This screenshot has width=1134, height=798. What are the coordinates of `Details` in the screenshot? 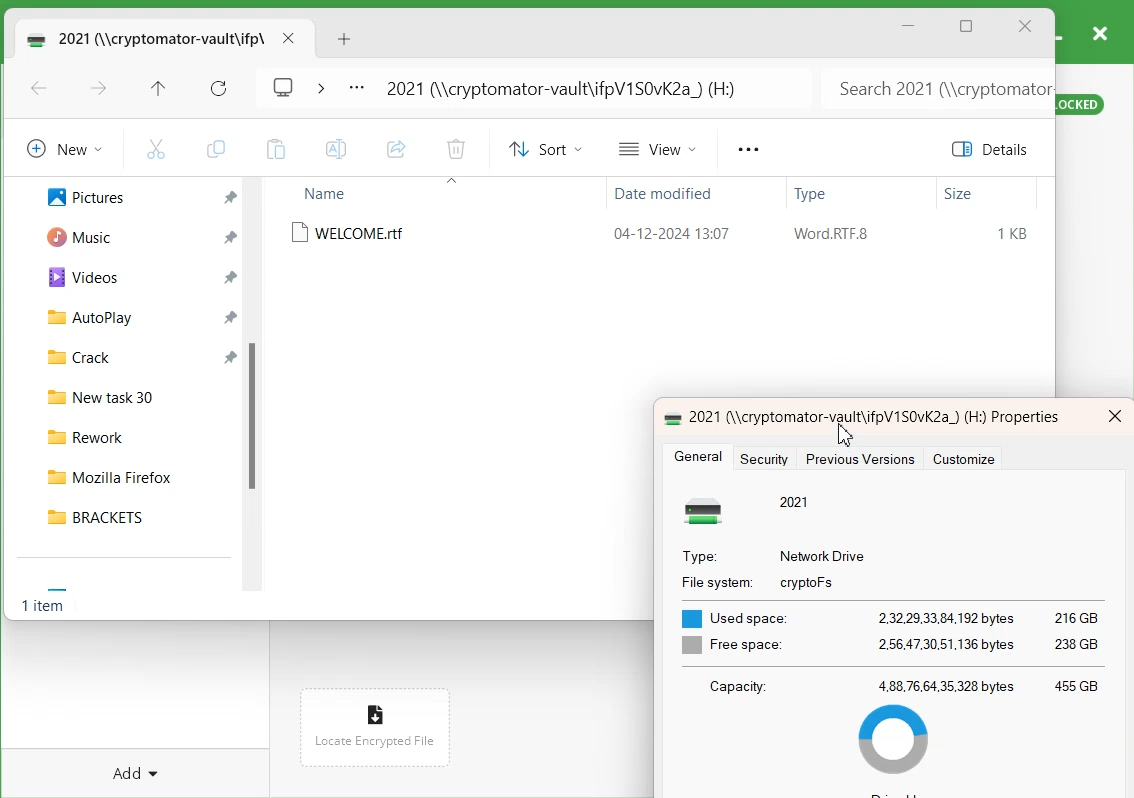 It's located at (994, 149).